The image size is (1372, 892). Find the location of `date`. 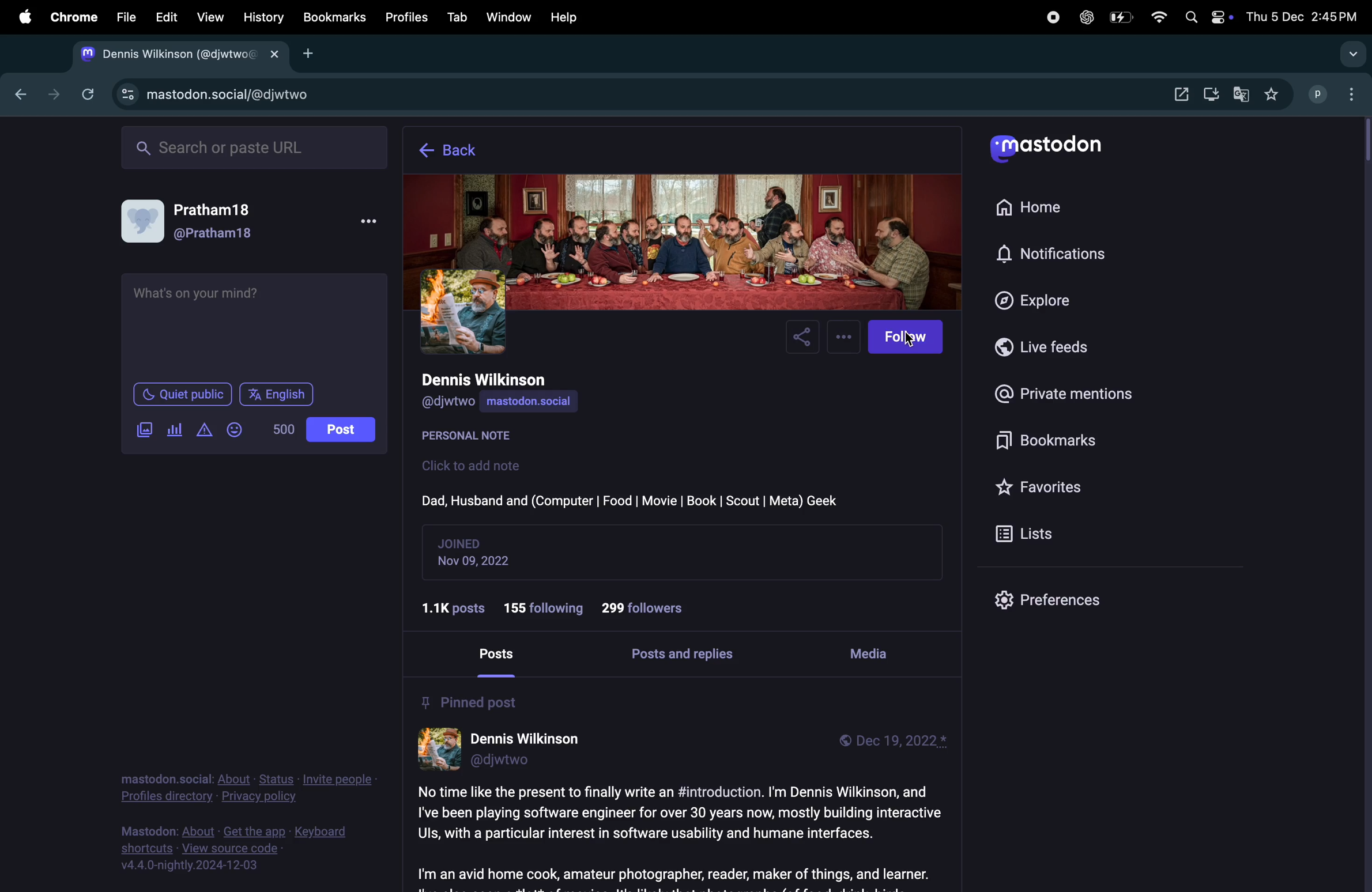

date is located at coordinates (483, 562).